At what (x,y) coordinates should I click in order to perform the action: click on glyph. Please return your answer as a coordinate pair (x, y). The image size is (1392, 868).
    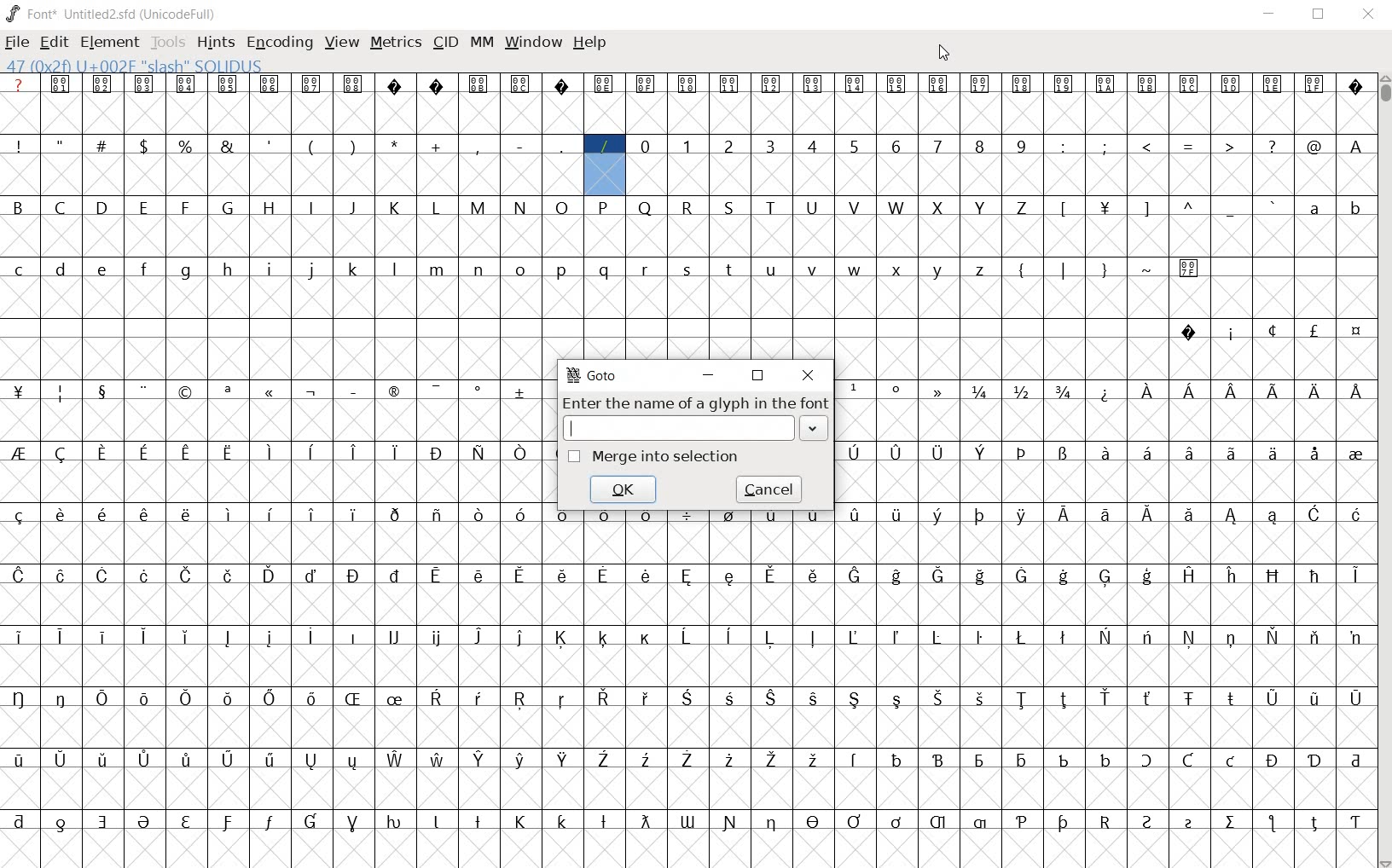
    Looking at the image, I should click on (19, 760).